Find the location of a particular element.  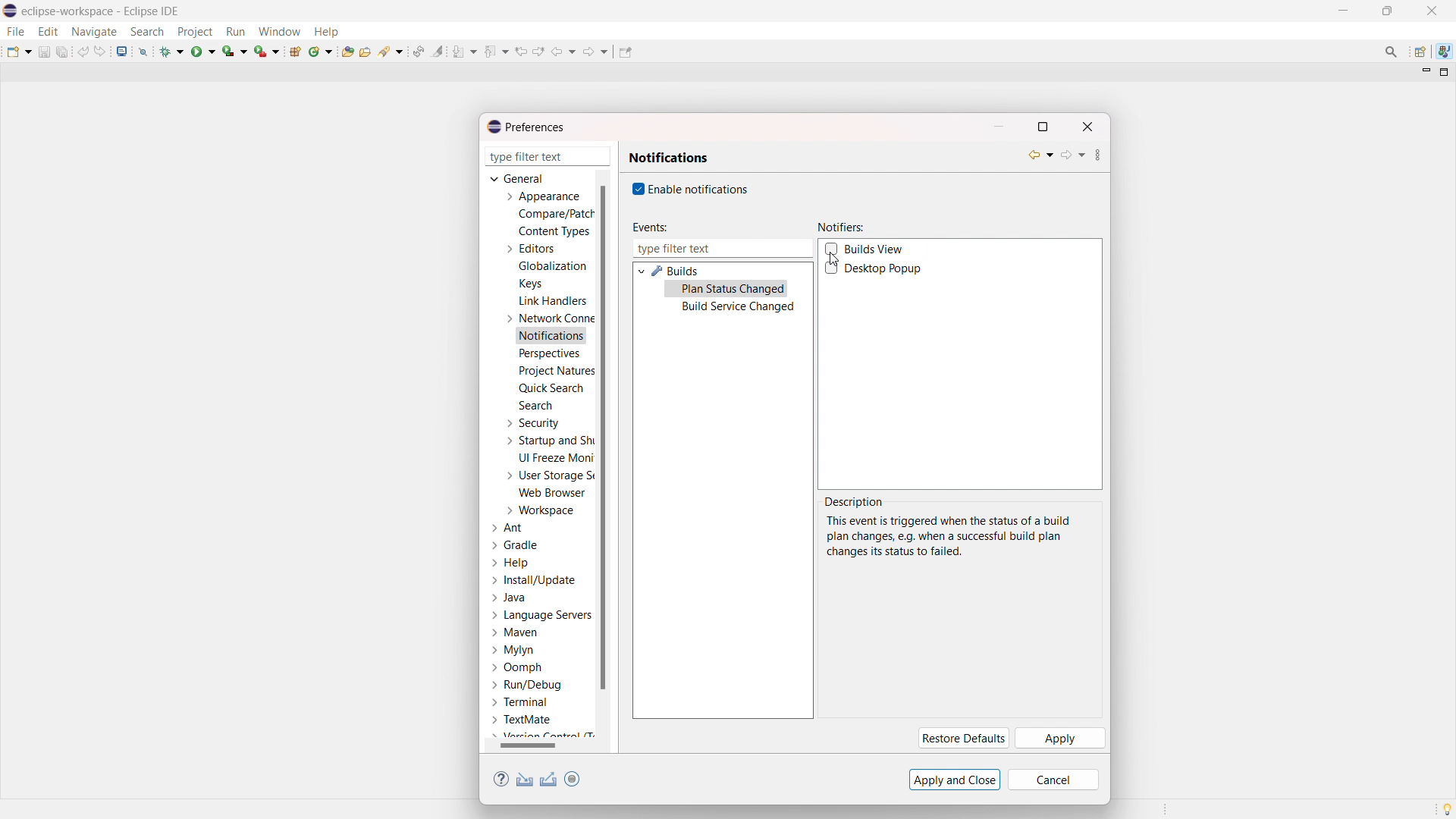

minimize dialogbox is located at coordinates (998, 127).